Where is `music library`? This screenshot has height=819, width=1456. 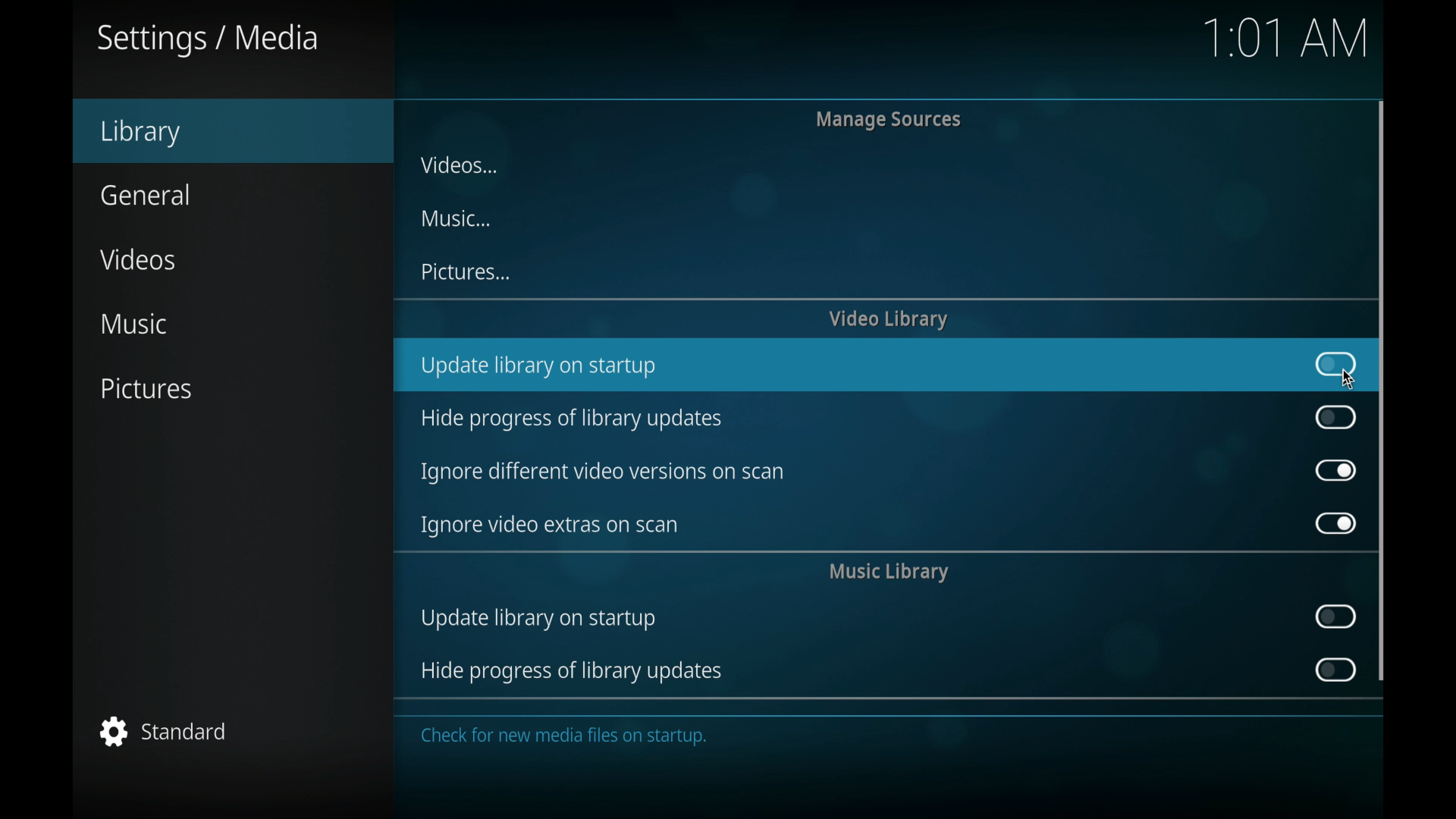
music library is located at coordinates (889, 573).